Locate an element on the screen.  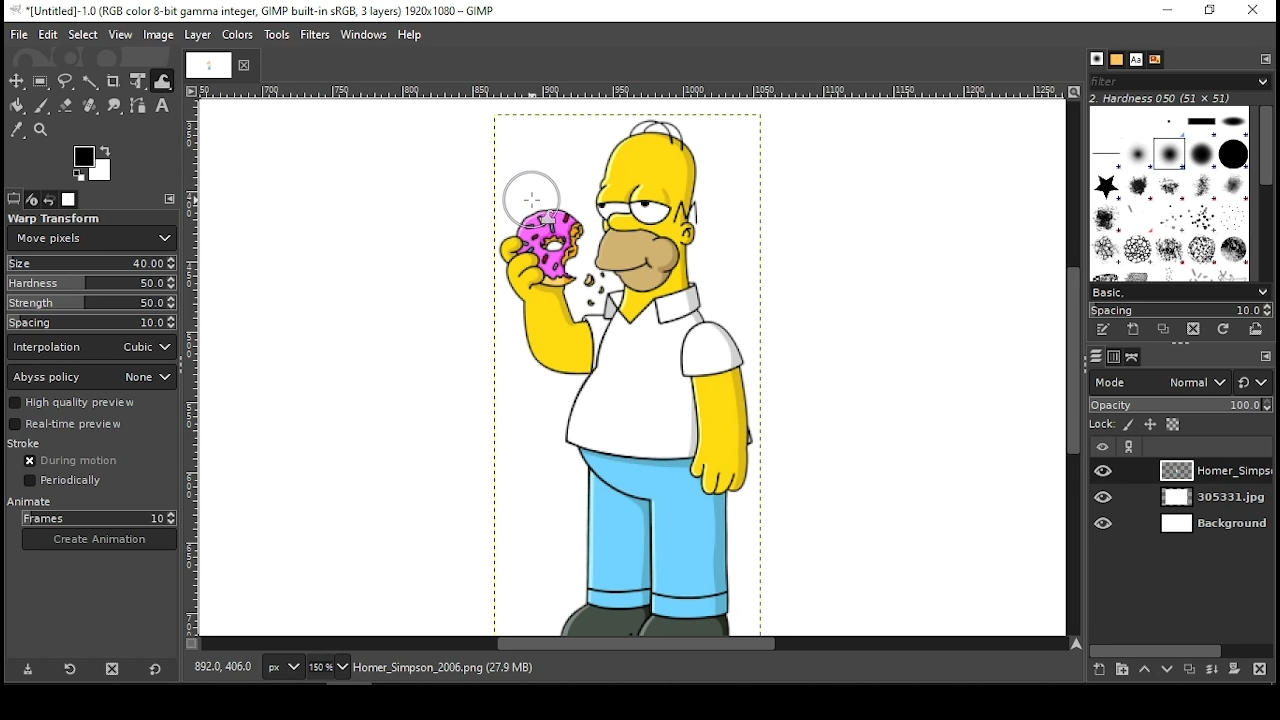
healing tool is located at coordinates (92, 106).